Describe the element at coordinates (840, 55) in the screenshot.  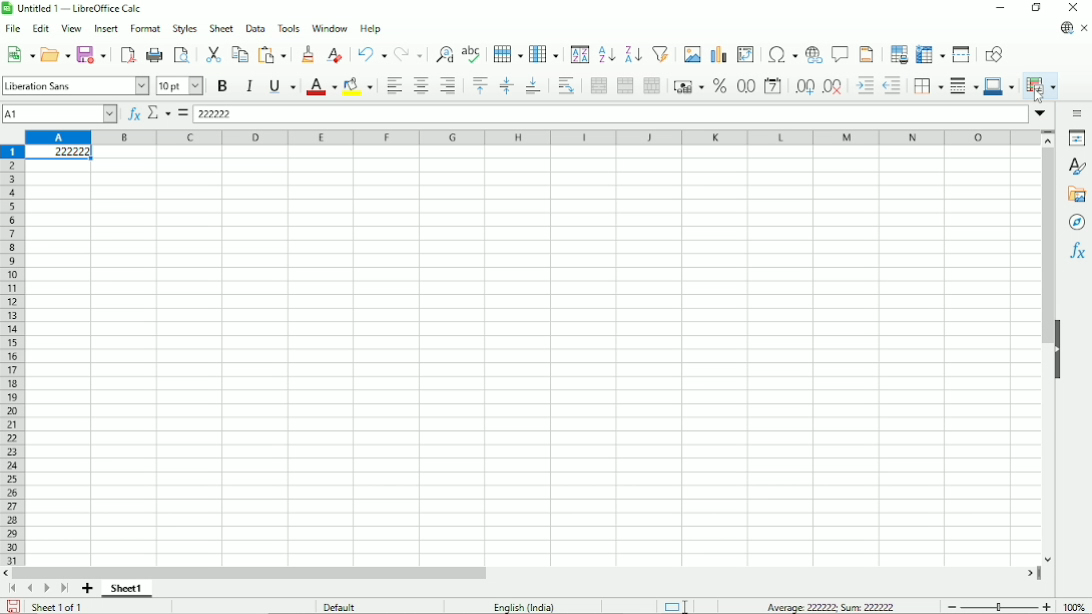
I see `Insert comment` at that location.